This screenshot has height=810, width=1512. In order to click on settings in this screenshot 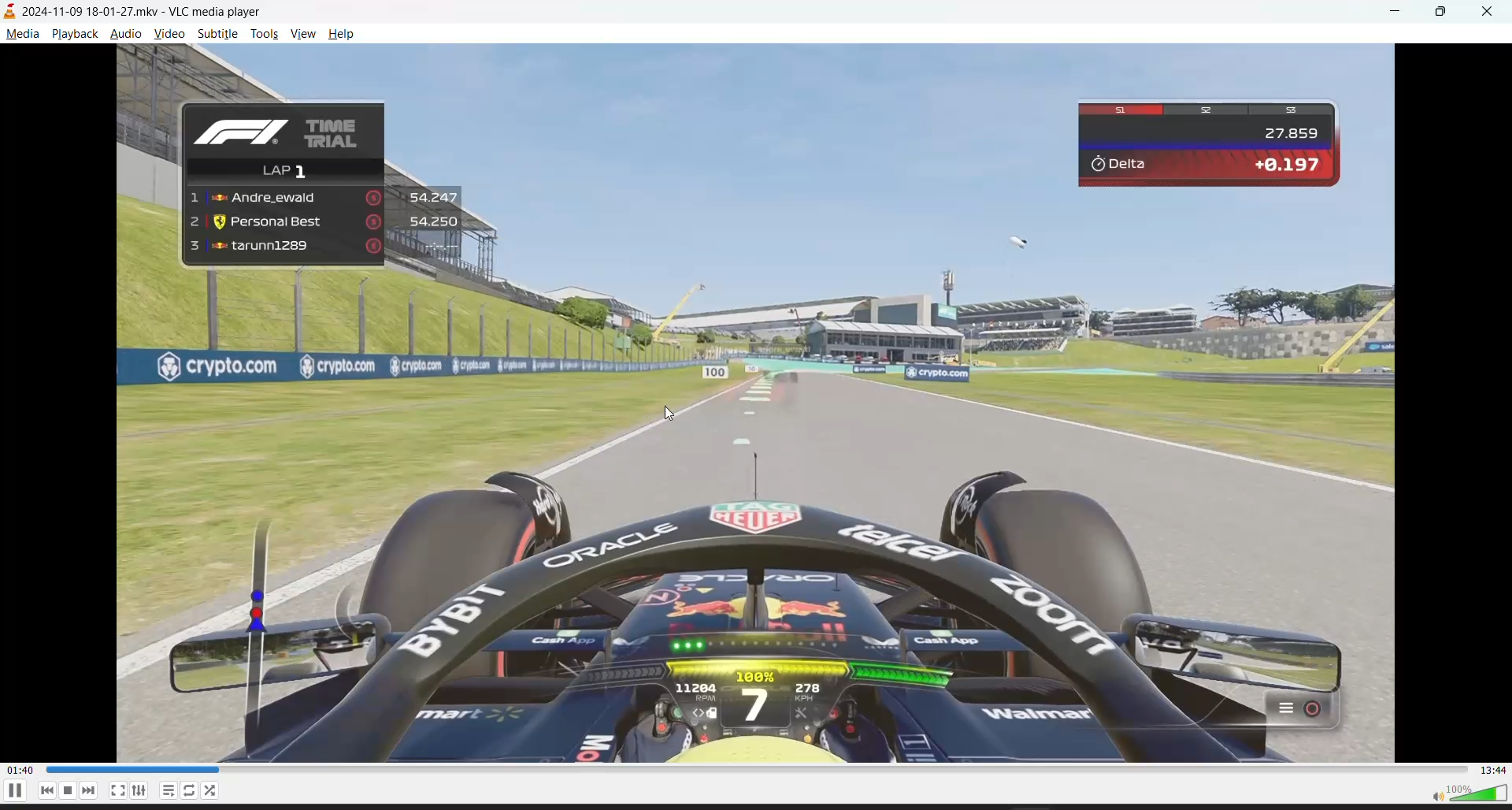, I will do `click(140, 790)`.